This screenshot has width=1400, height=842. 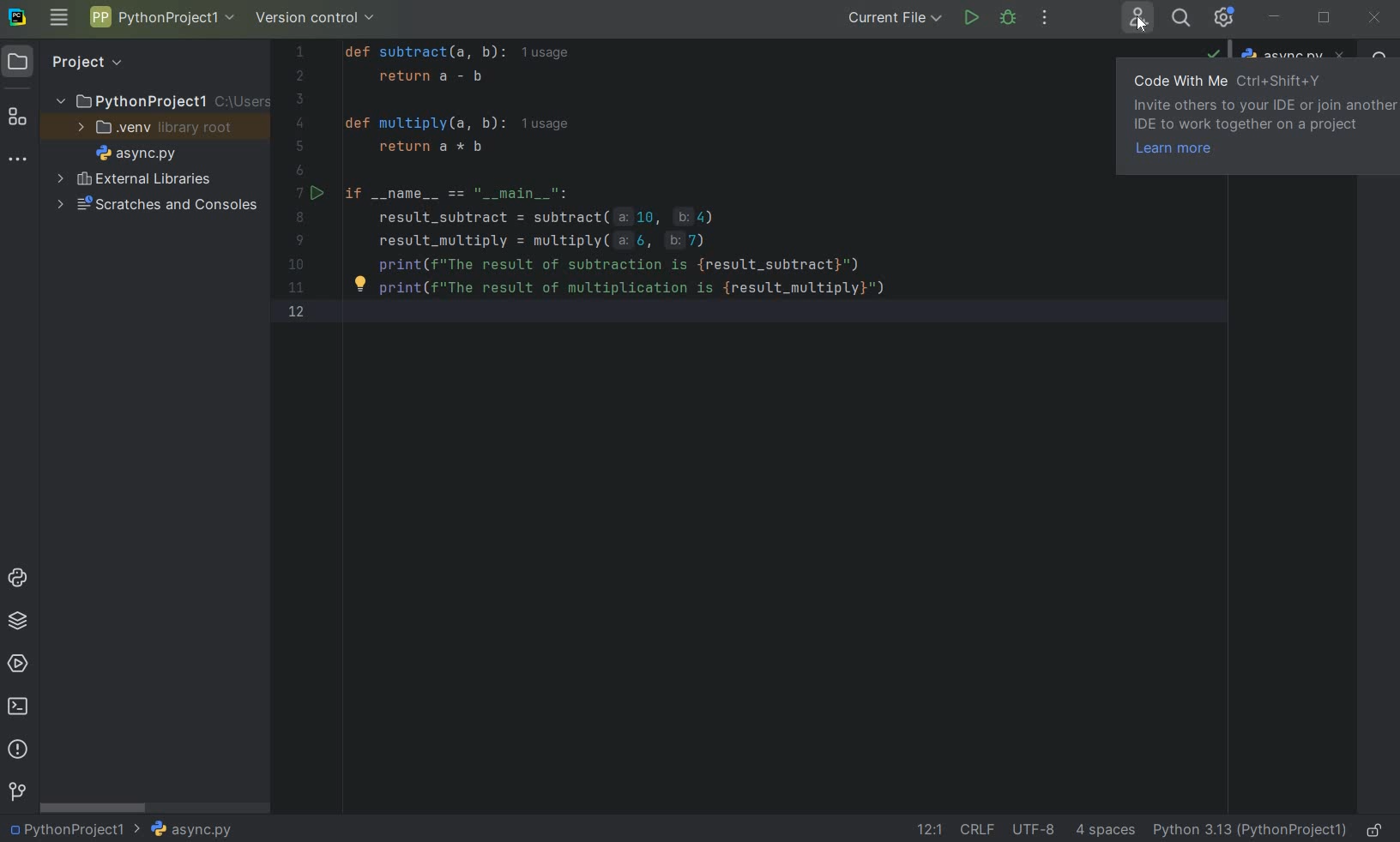 What do you see at coordinates (1228, 19) in the screenshot?
I see `IDE & PROJECT SETTINGS` at bounding box center [1228, 19].